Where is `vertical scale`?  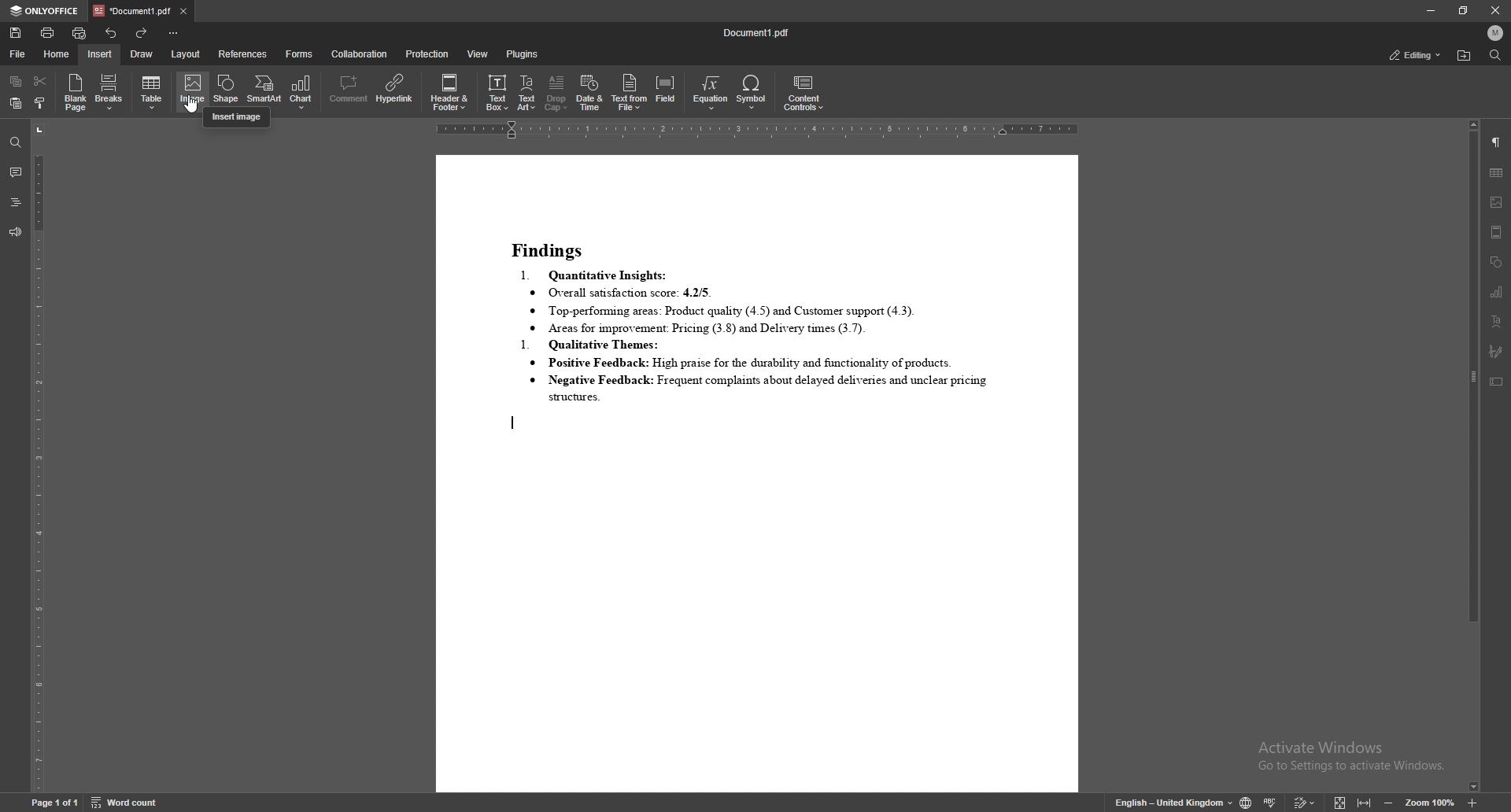
vertical scale is located at coordinates (38, 456).